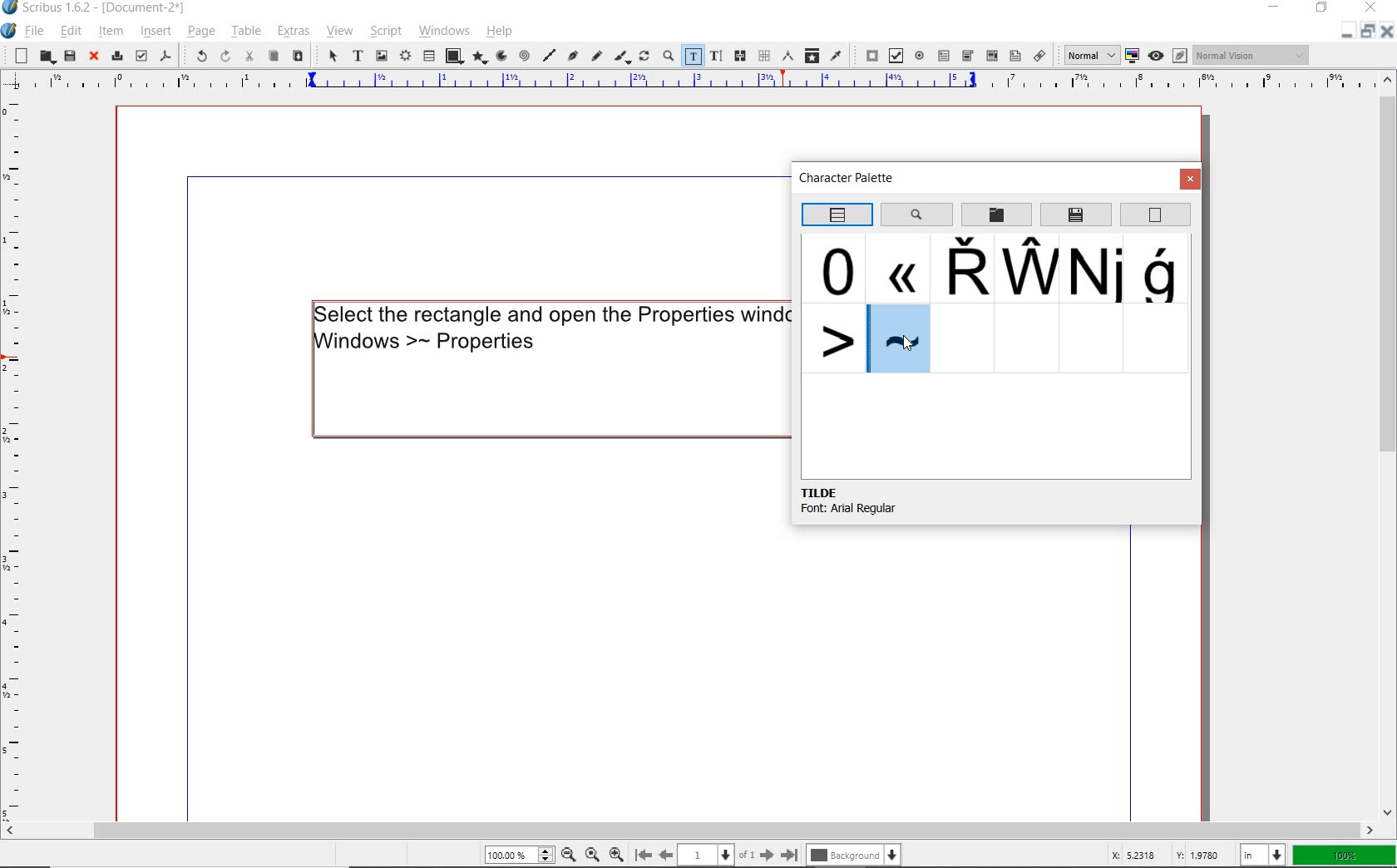  Describe the element at coordinates (404, 57) in the screenshot. I see `render frame` at that location.